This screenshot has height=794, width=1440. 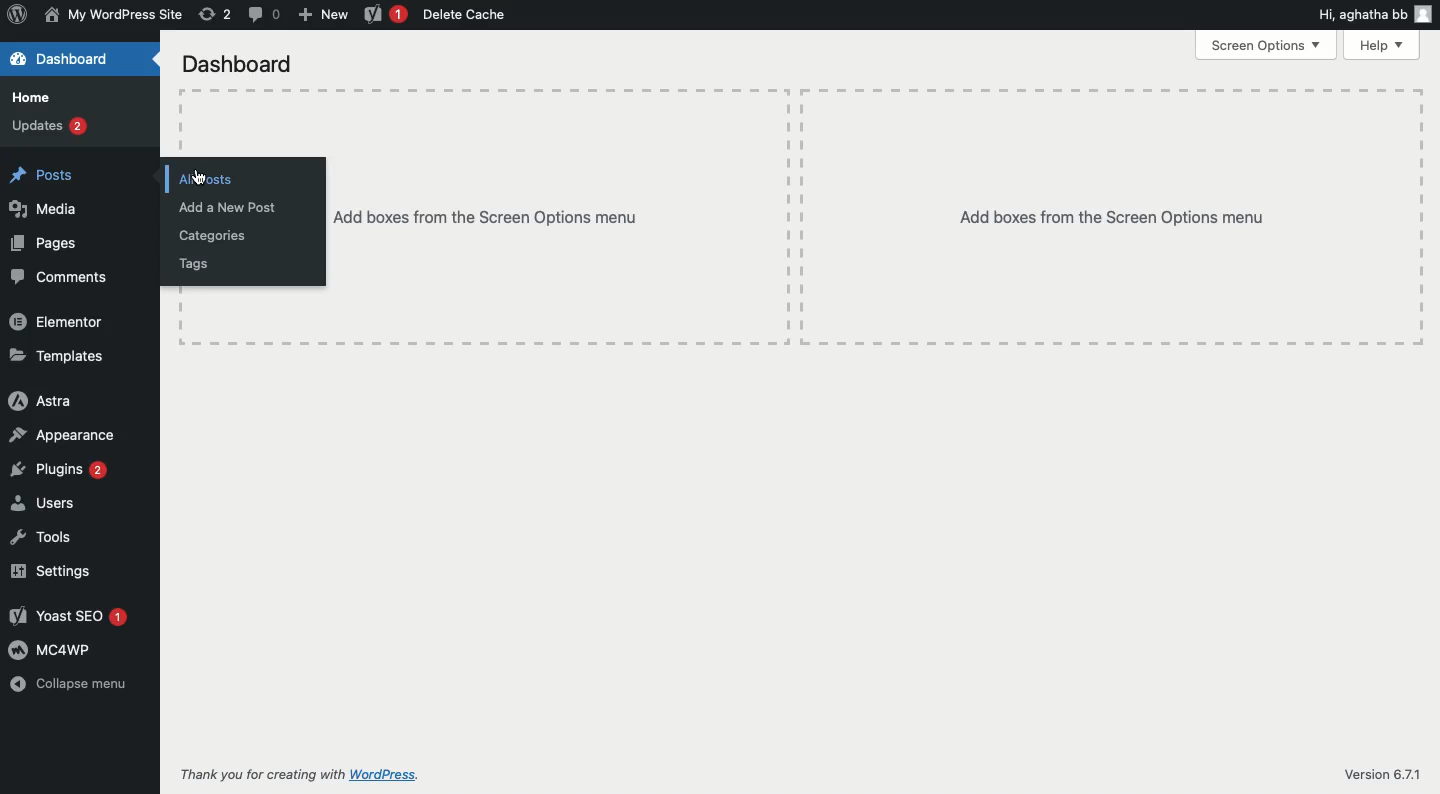 I want to click on Thank you for creating with wordpress, so click(x=310, y=775).